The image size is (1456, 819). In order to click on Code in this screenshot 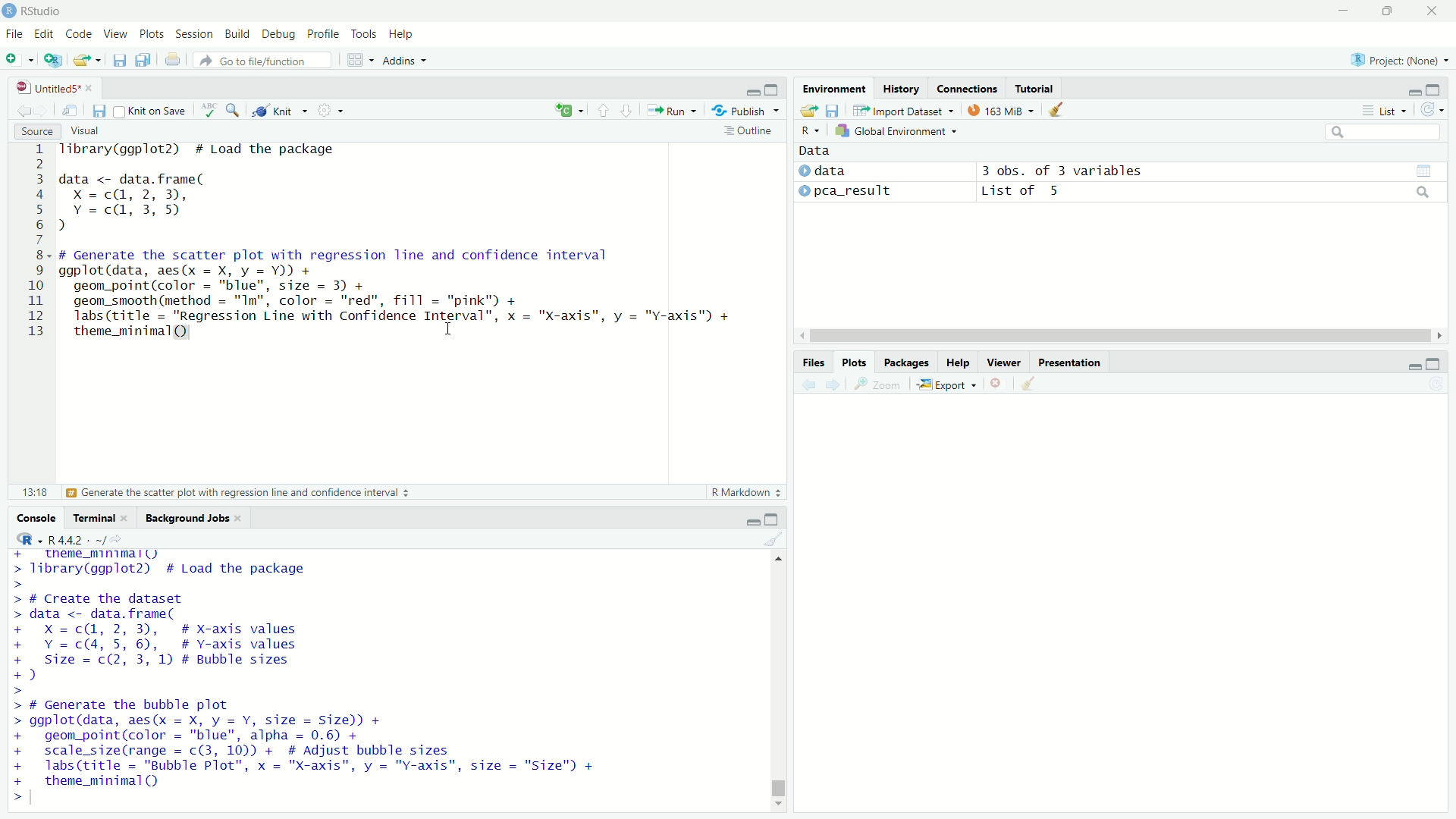, I will do `click(78, 33)`.